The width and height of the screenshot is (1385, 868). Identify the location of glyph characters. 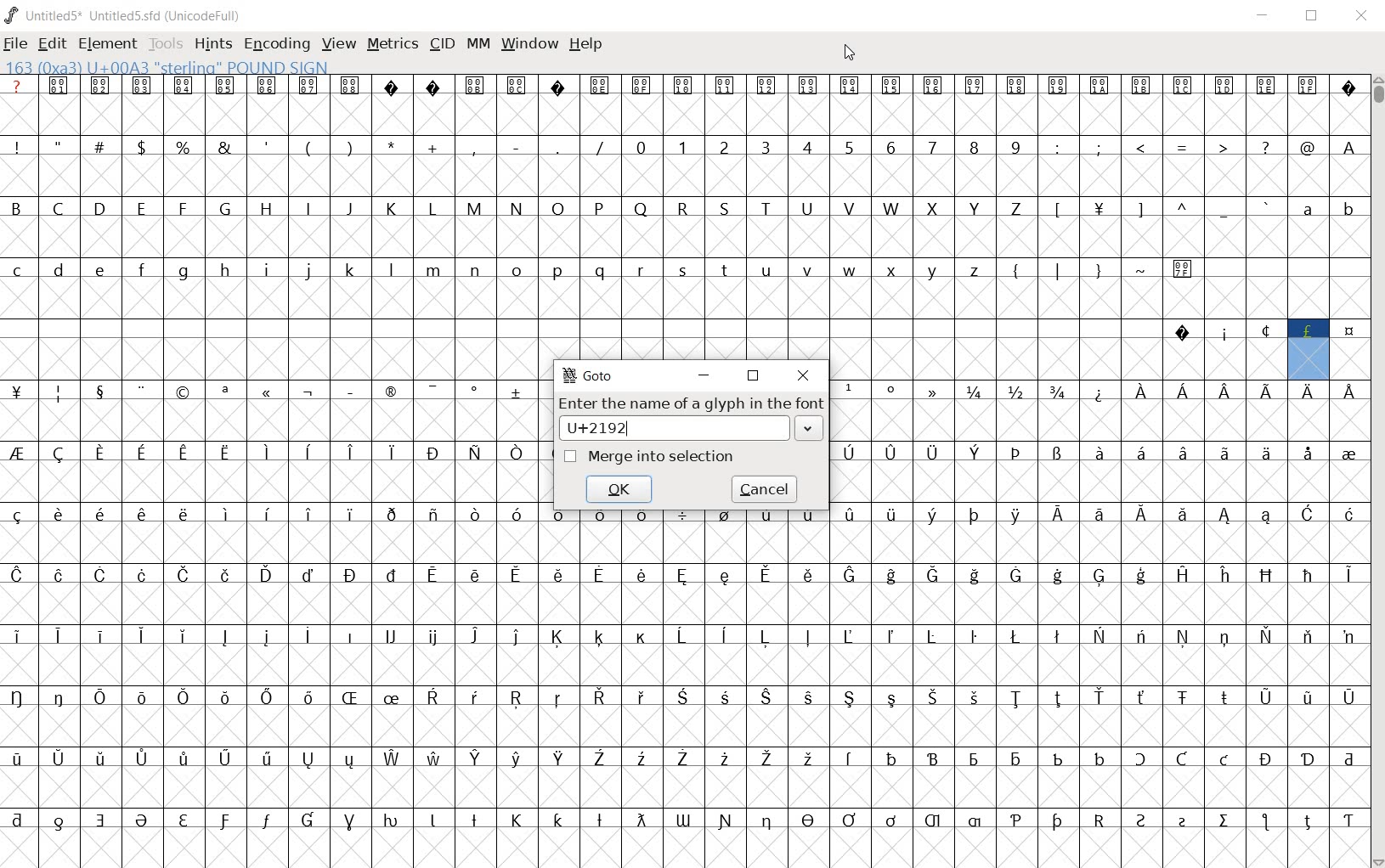
(953, 695).